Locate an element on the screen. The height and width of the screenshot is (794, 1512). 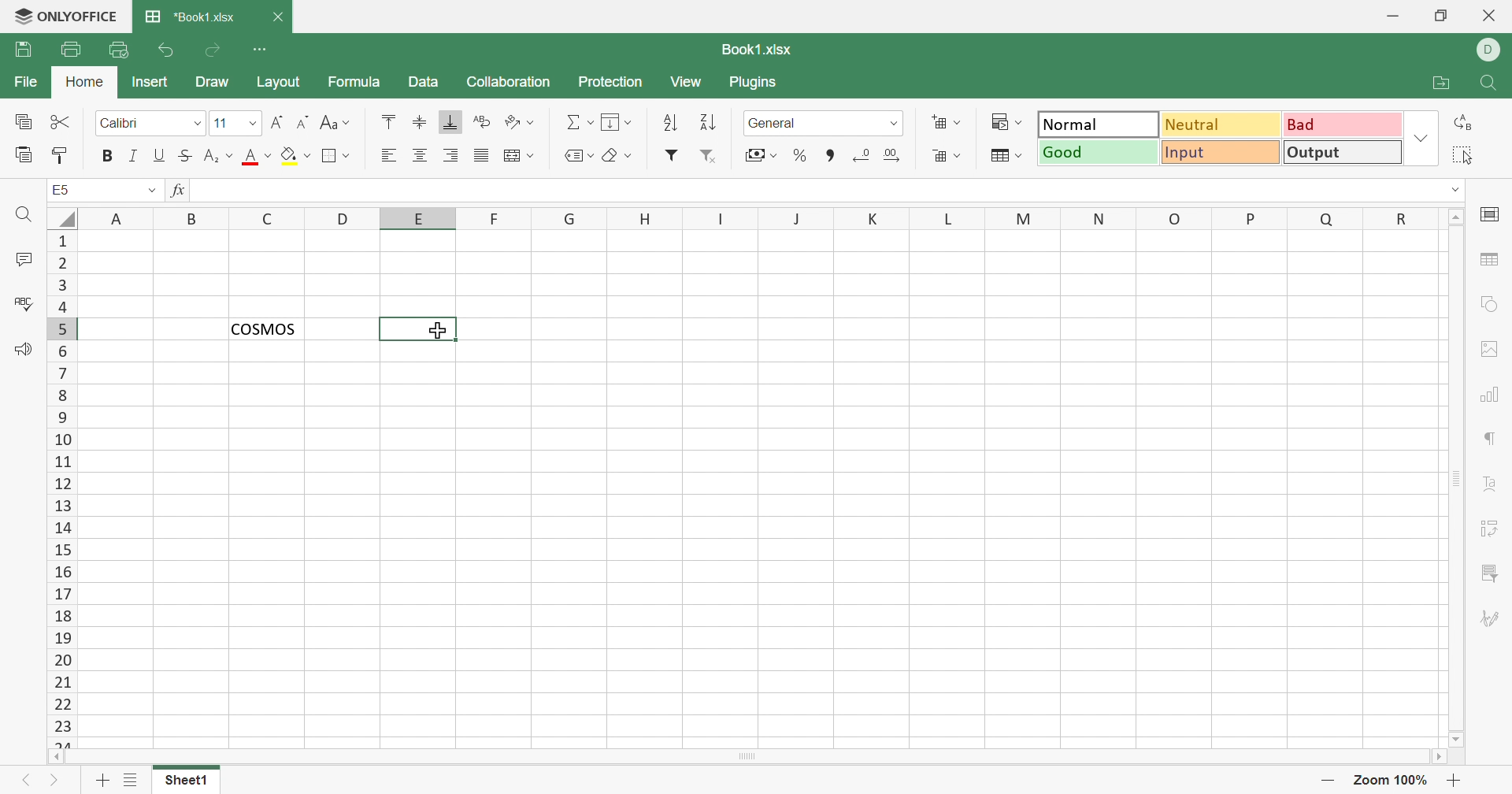
Close is located at coordinates (276, 16).